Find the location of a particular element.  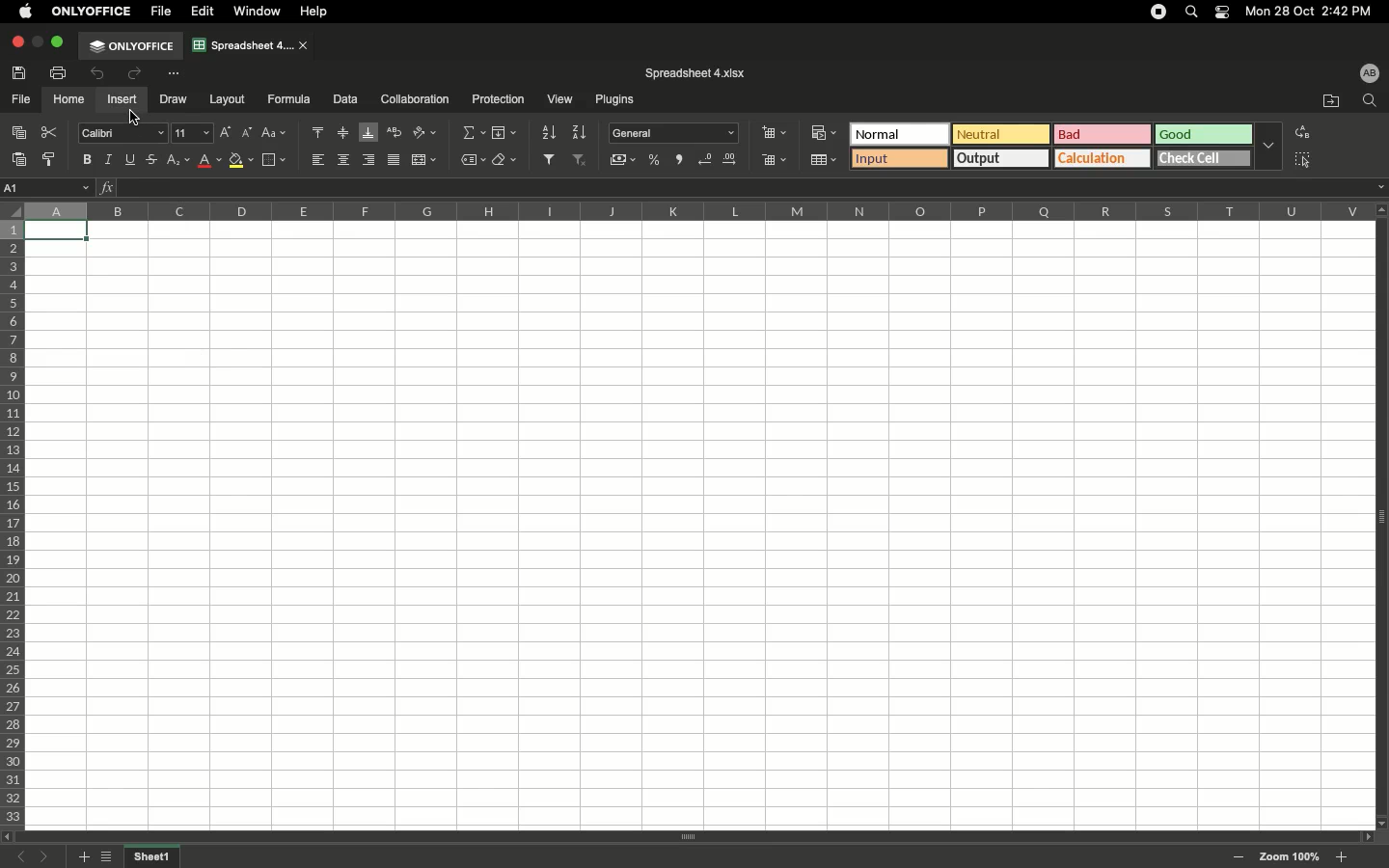

Zoom is located at coordinates (1290, 856).